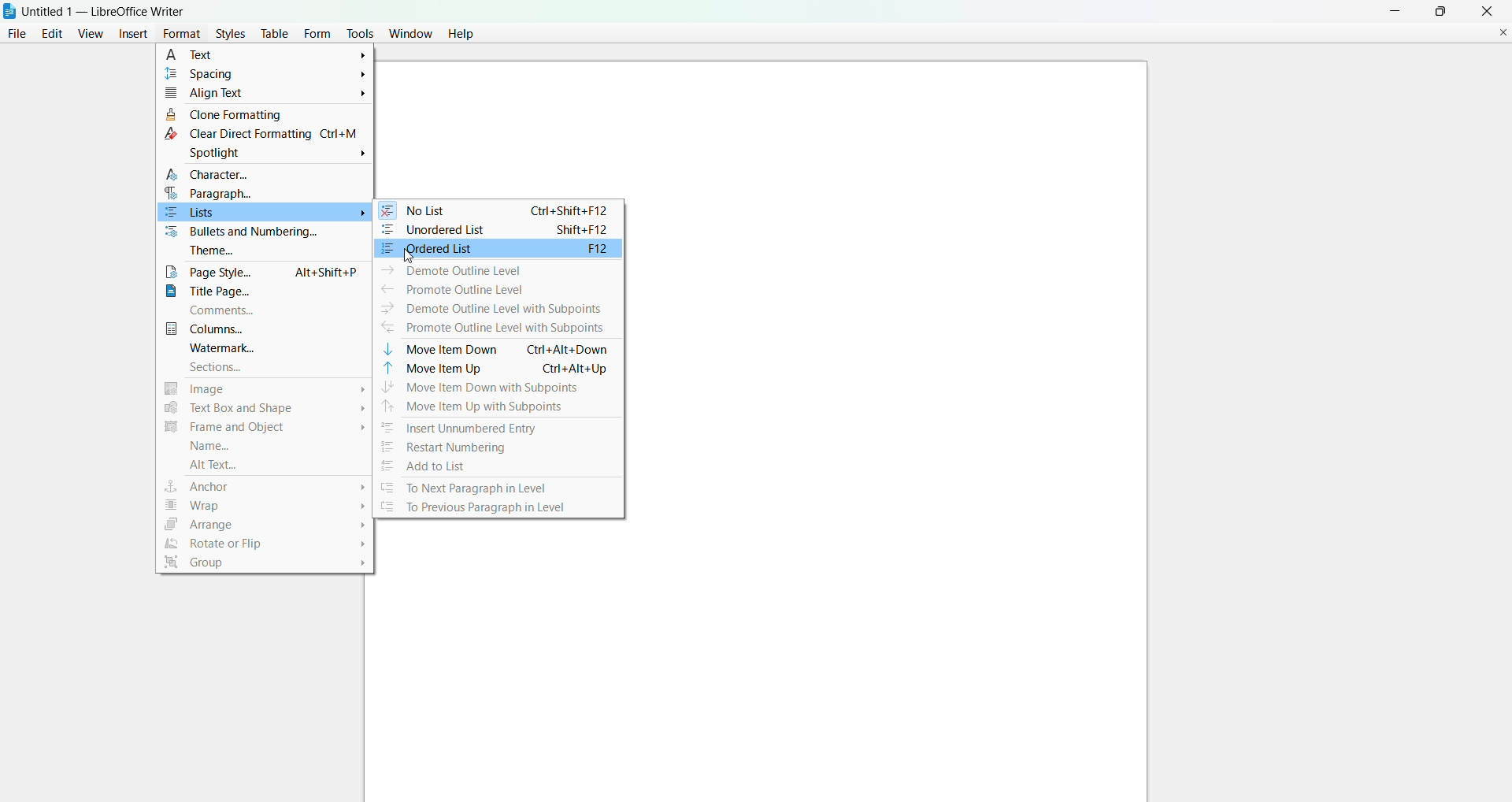 The width and height of the screenshot is (1512, 802). I want to click on spotlight, so click(273, 154).